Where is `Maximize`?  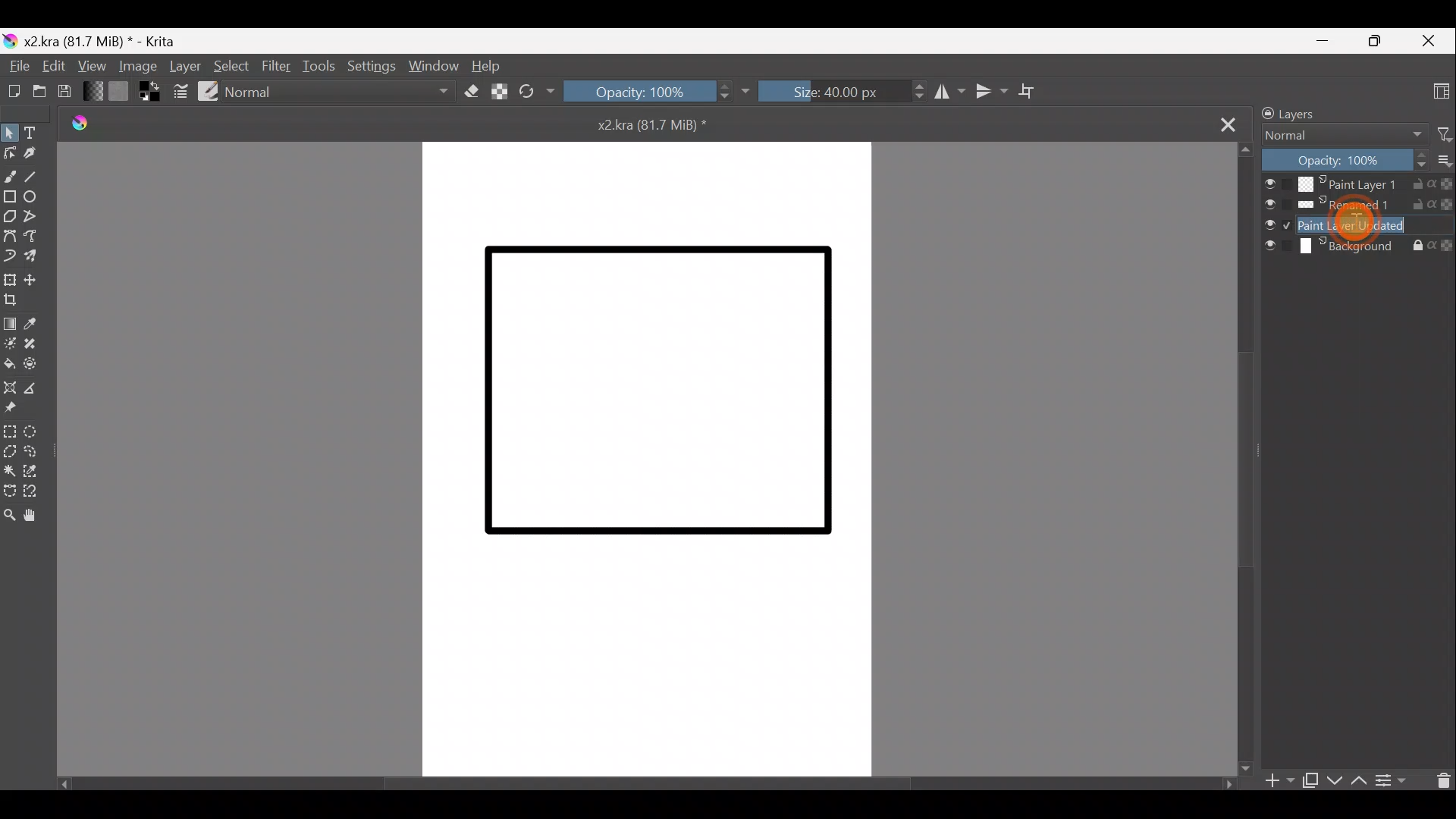
Maximize is located at coordinates (1374, 40).